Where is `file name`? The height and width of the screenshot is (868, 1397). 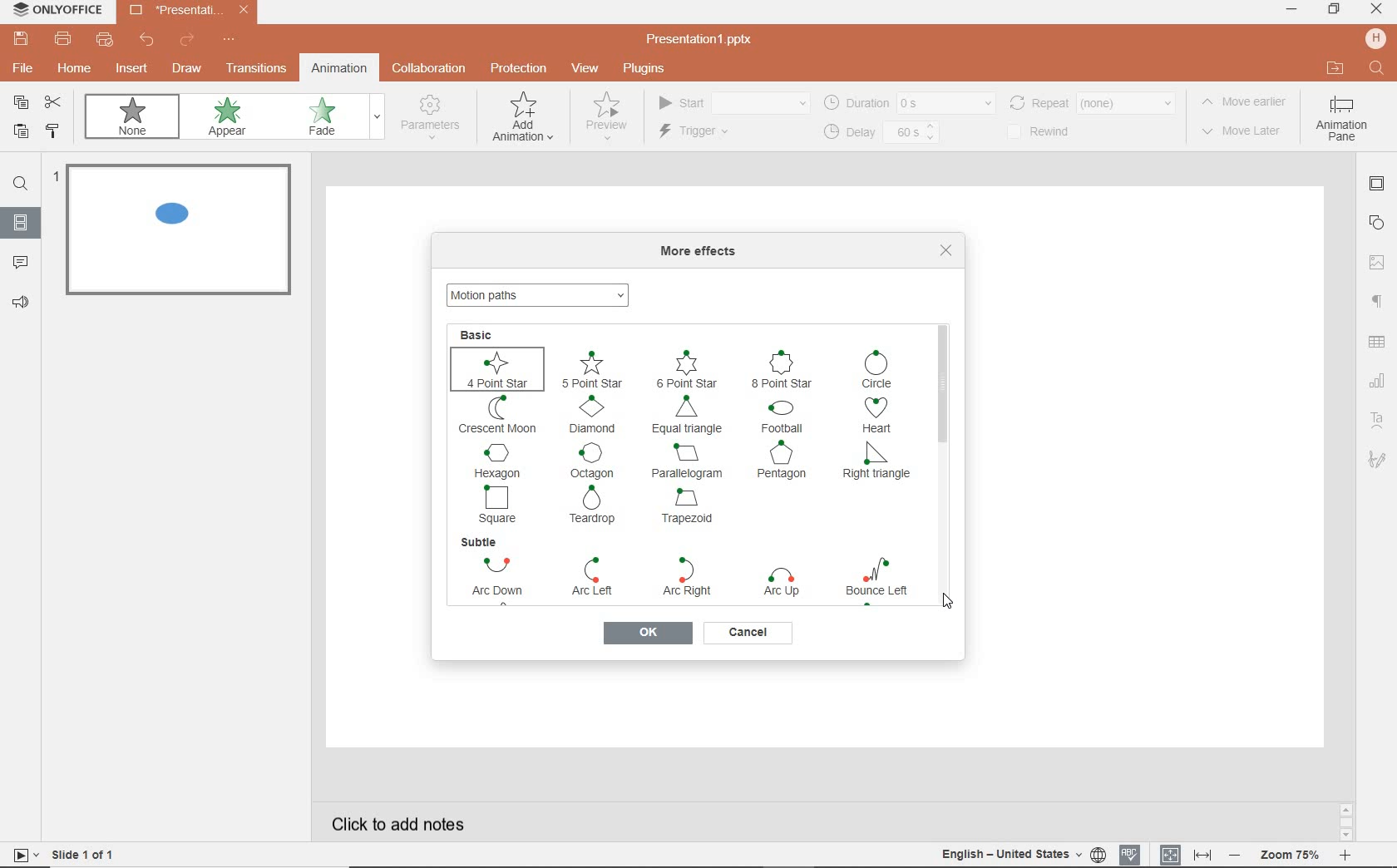
file name is located at coordinates (705, 40).